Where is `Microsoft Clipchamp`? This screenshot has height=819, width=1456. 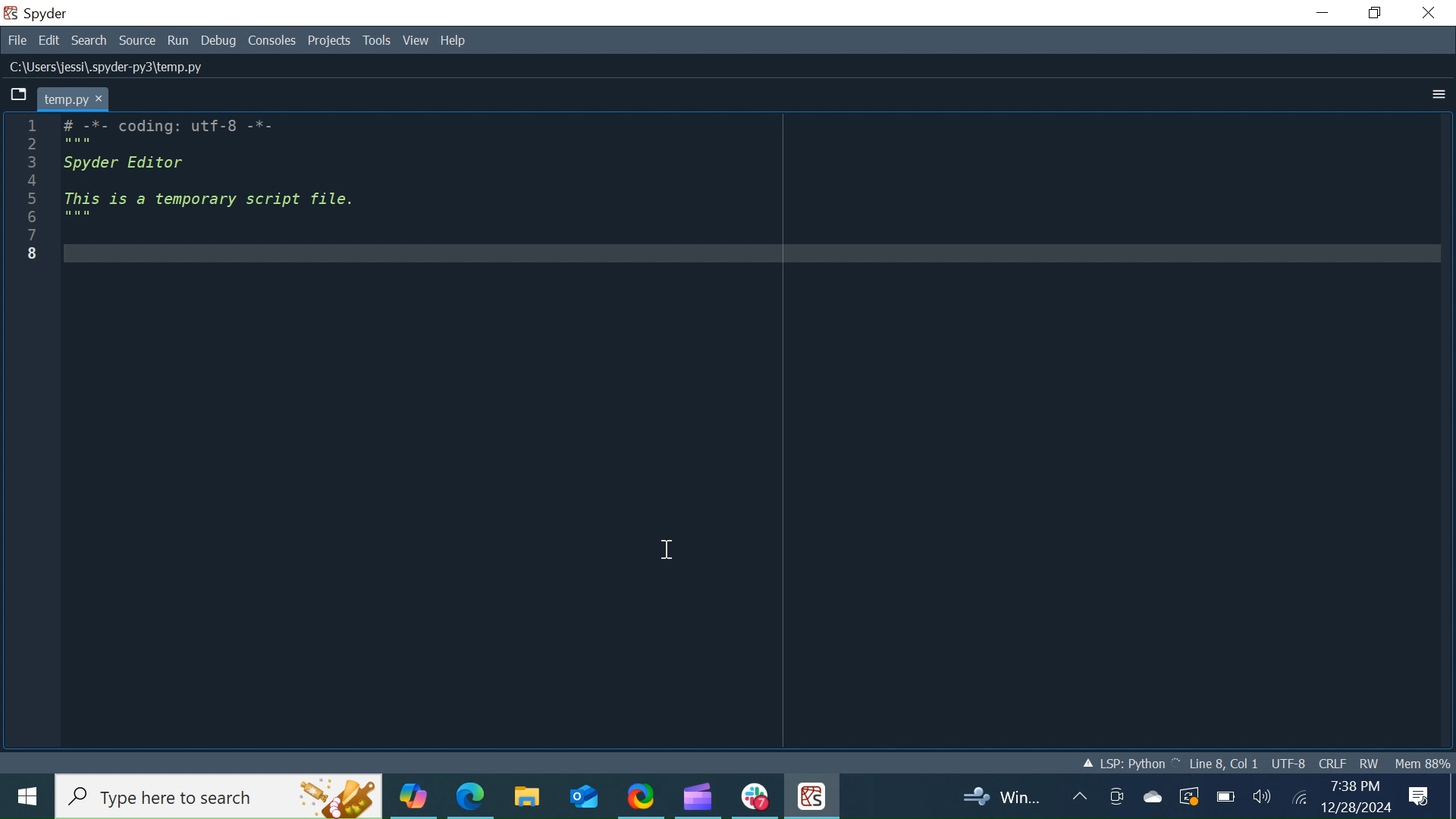
Microsoft Clipchamp is located at coordinates (697, 795).